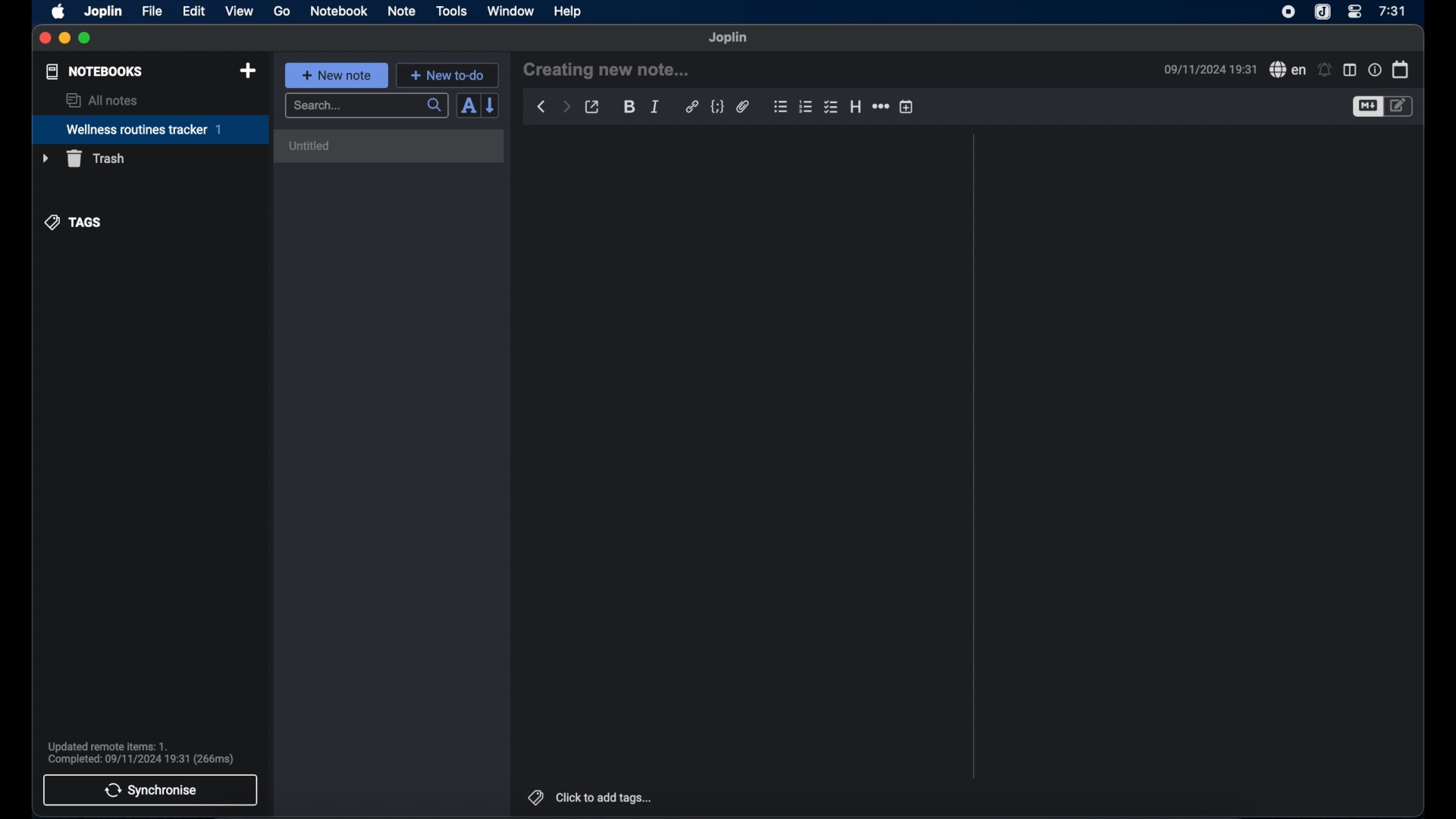 This screenshot has width=1456, height=819. Describe the element at coordinates (806, 107) in the screenshot. I see `numbered list` at that location.